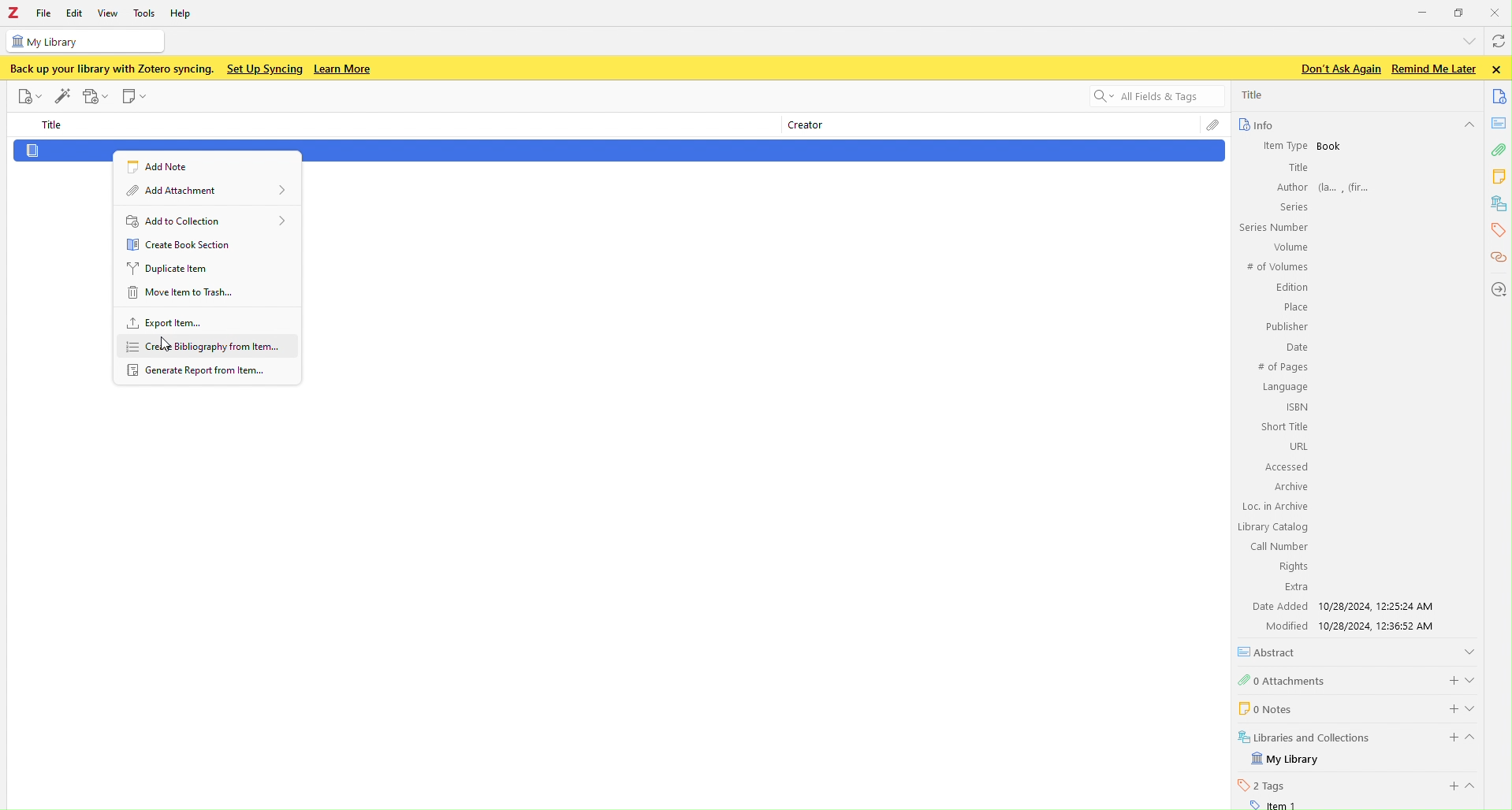 This screenshot has width=1512, height=810. Describe the element at coordinates (1278, 546) in the screenshot. I see `Call Number` at that location.